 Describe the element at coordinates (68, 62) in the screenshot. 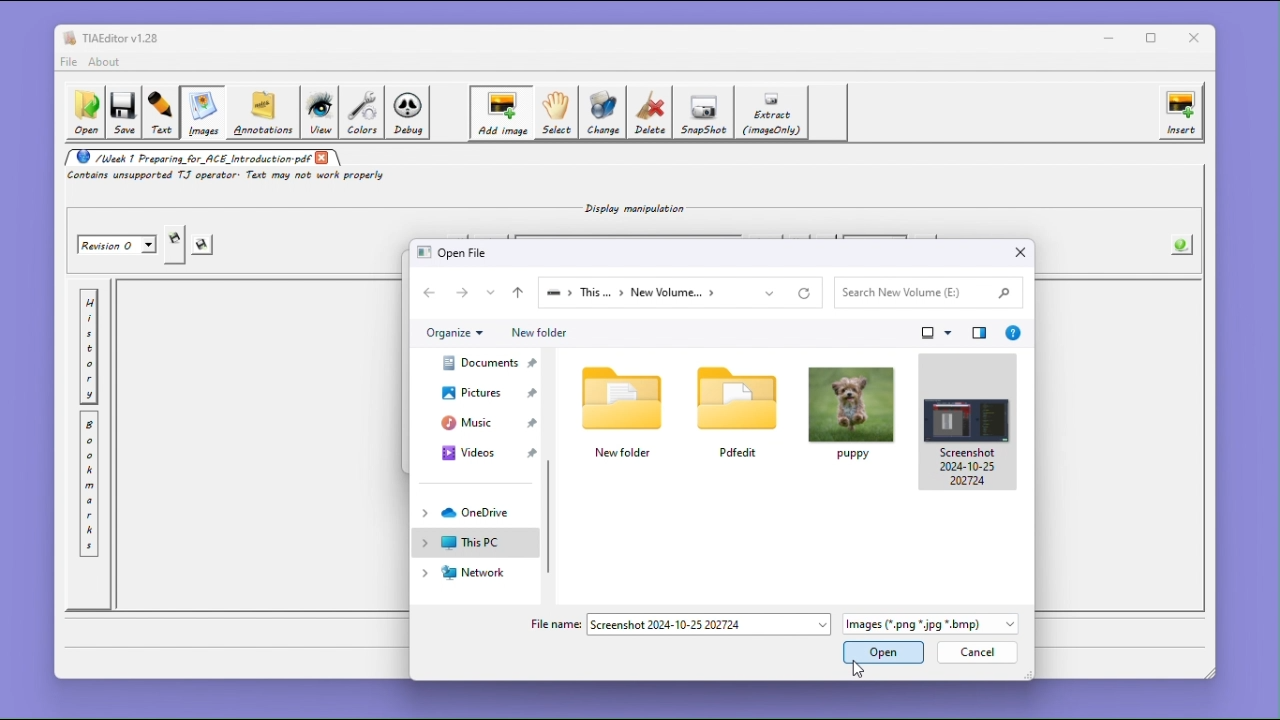

I see `file` at that location.